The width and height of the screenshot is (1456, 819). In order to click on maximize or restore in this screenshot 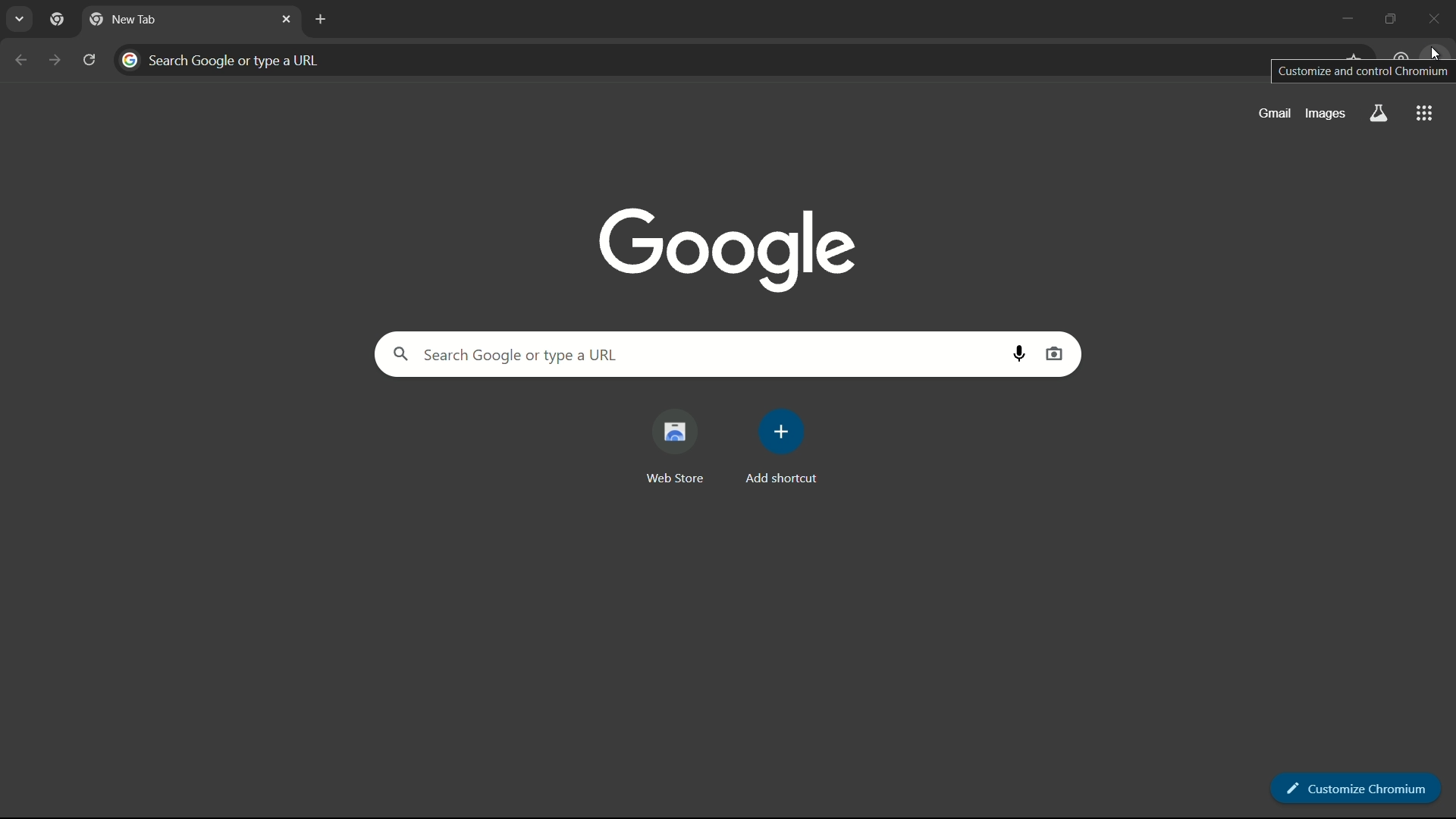, I will do `click(1395, 17)`.